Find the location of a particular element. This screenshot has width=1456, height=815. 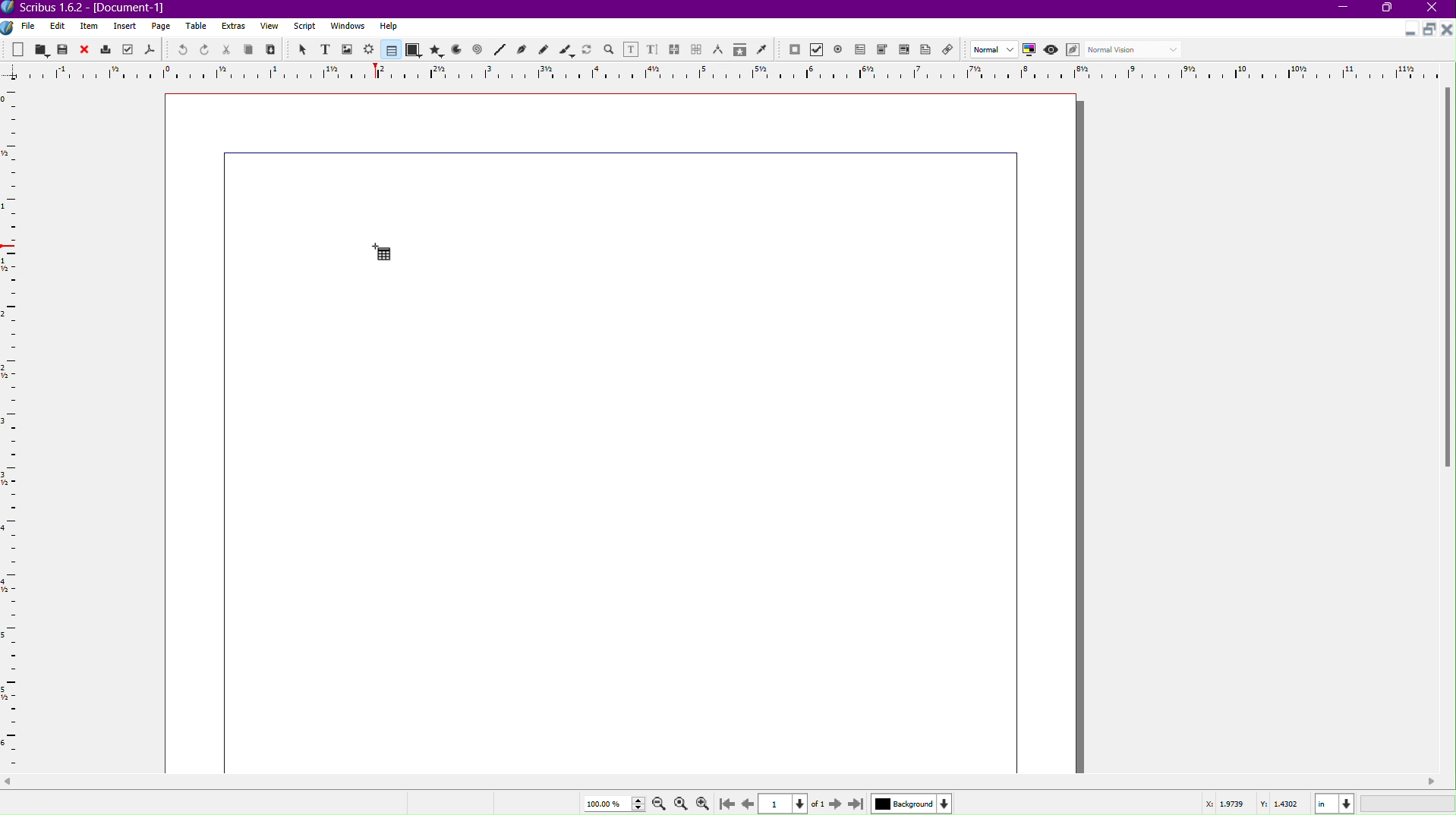

Close is located at coordinates (1436, 9).